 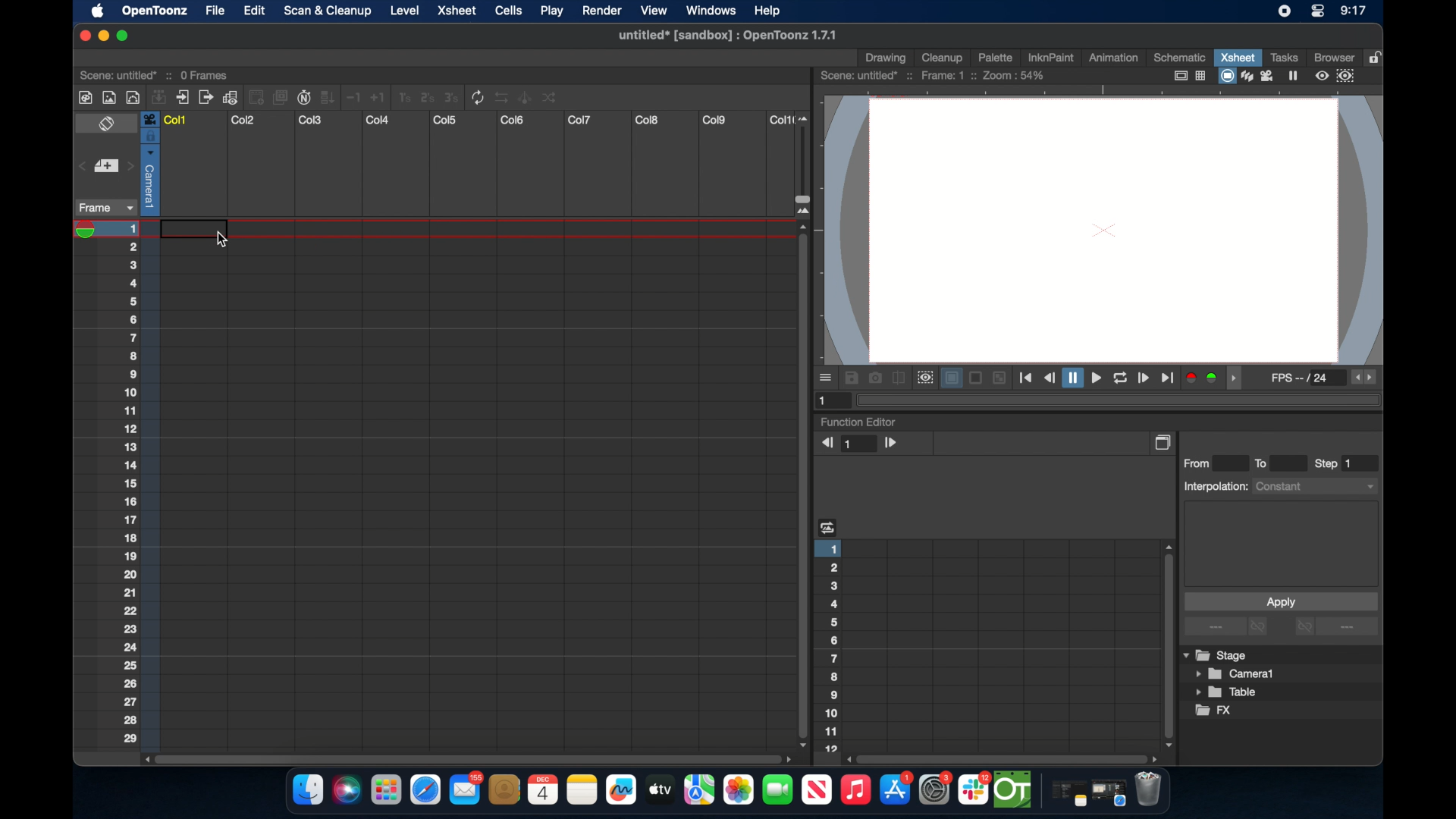 What do you see at coordinates (861, 444) in the screenshot?
I see `1` at bounding box center [861, 444].